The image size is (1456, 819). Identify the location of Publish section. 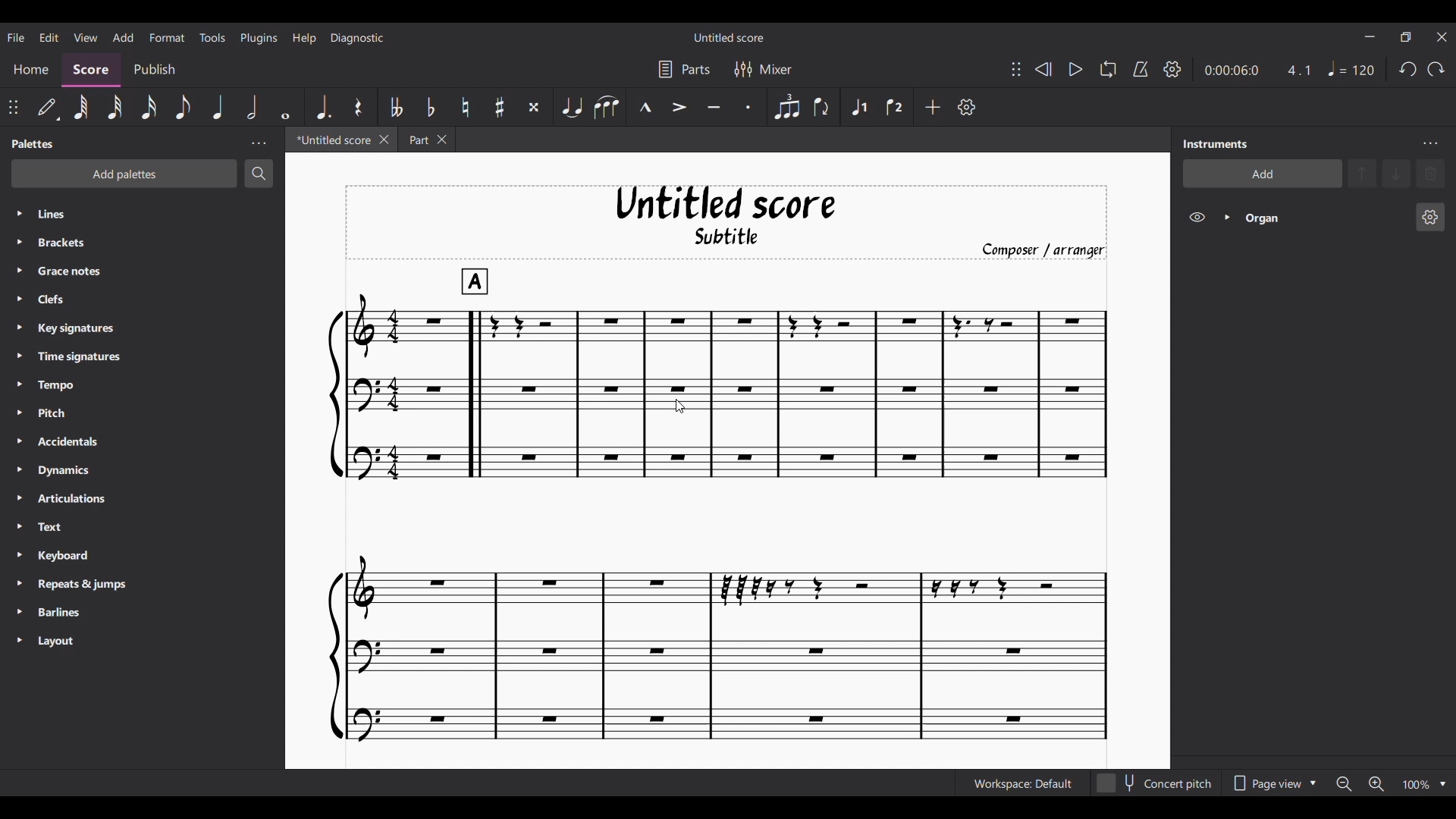
(153, 70).